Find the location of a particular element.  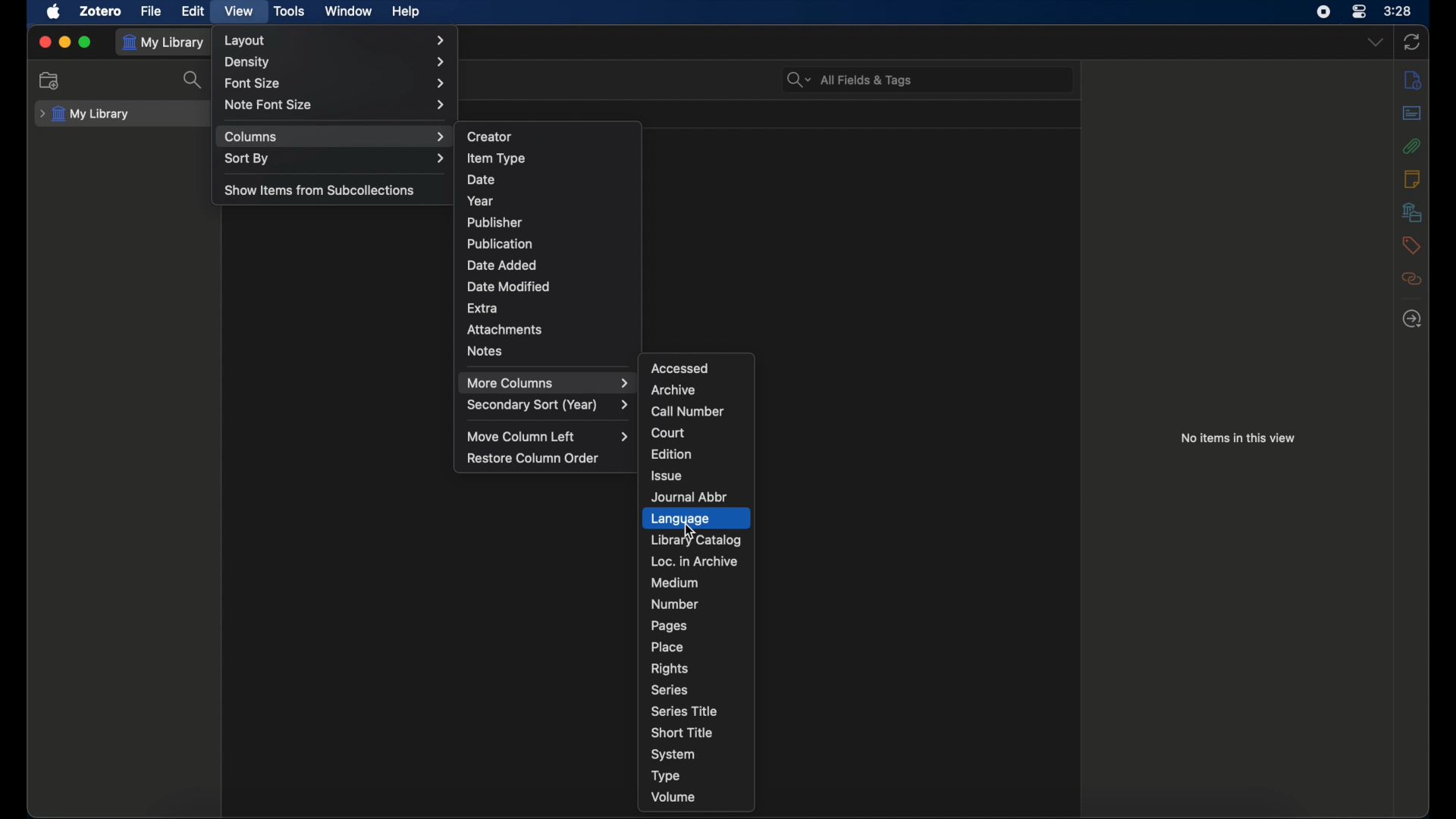

move column left is located at coordinates (549, 437).